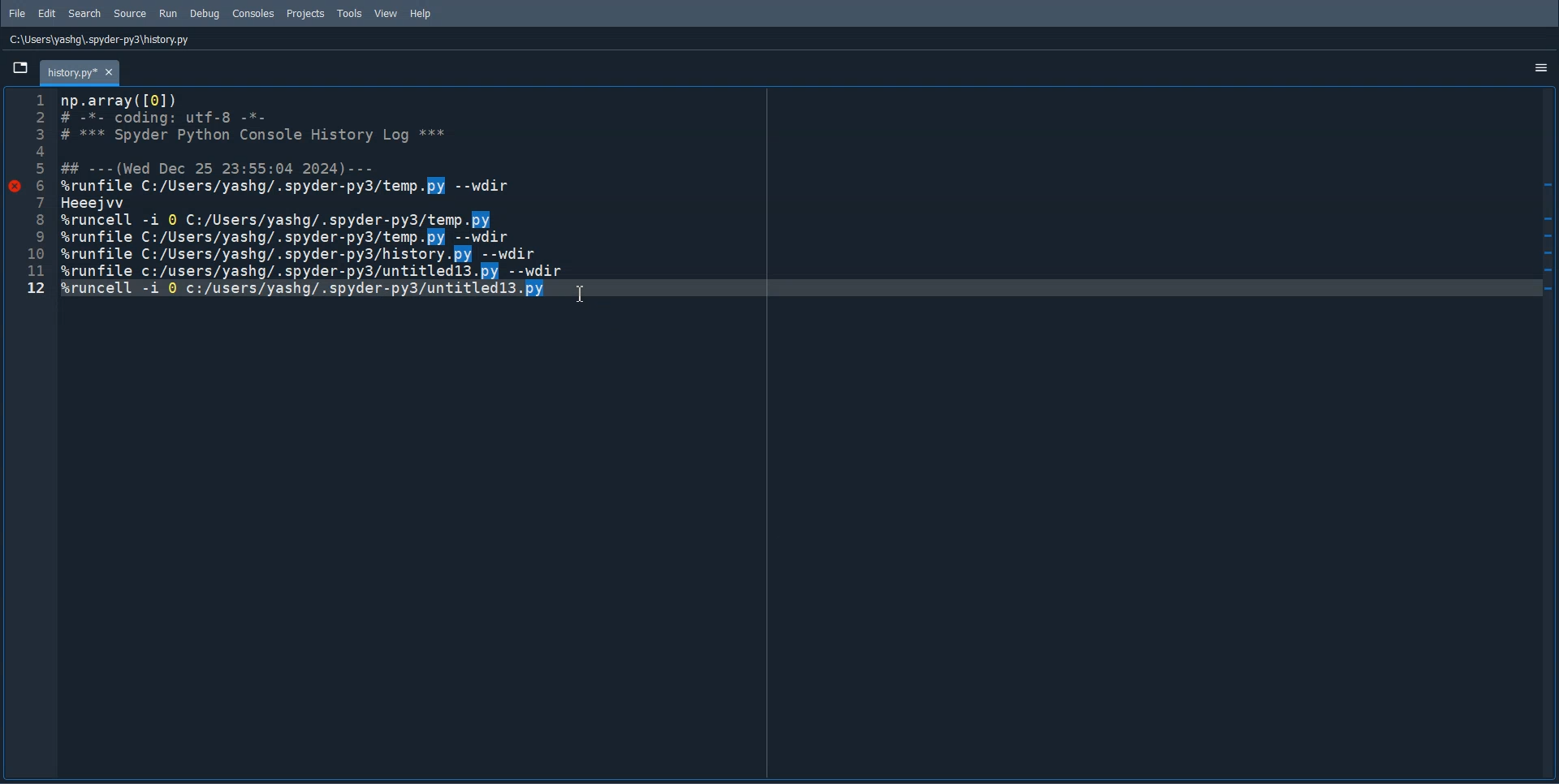 The image size is (1559, 784). Describe the element at coordinates (583, 293) in the screenshot. I see `Text cursor` at that location.